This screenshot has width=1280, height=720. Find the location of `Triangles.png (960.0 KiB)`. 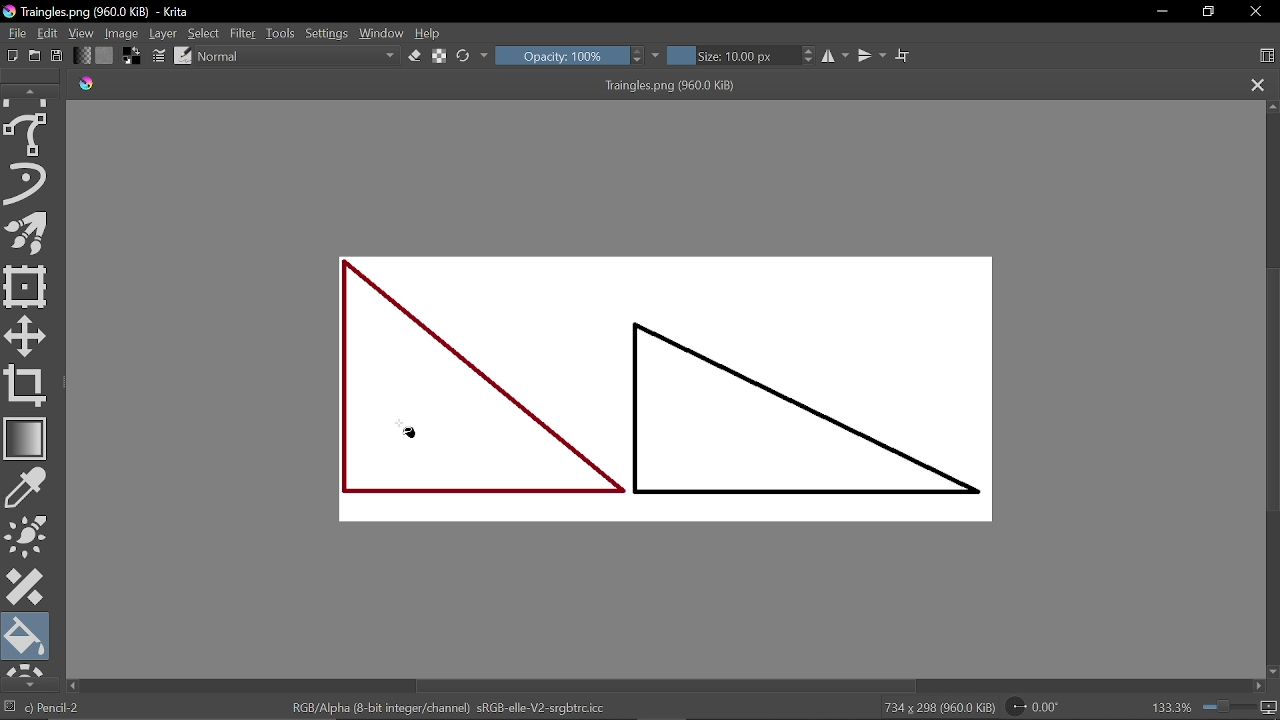

Triangles.png (960.0 KiB) is located at coordinates (678, 87).